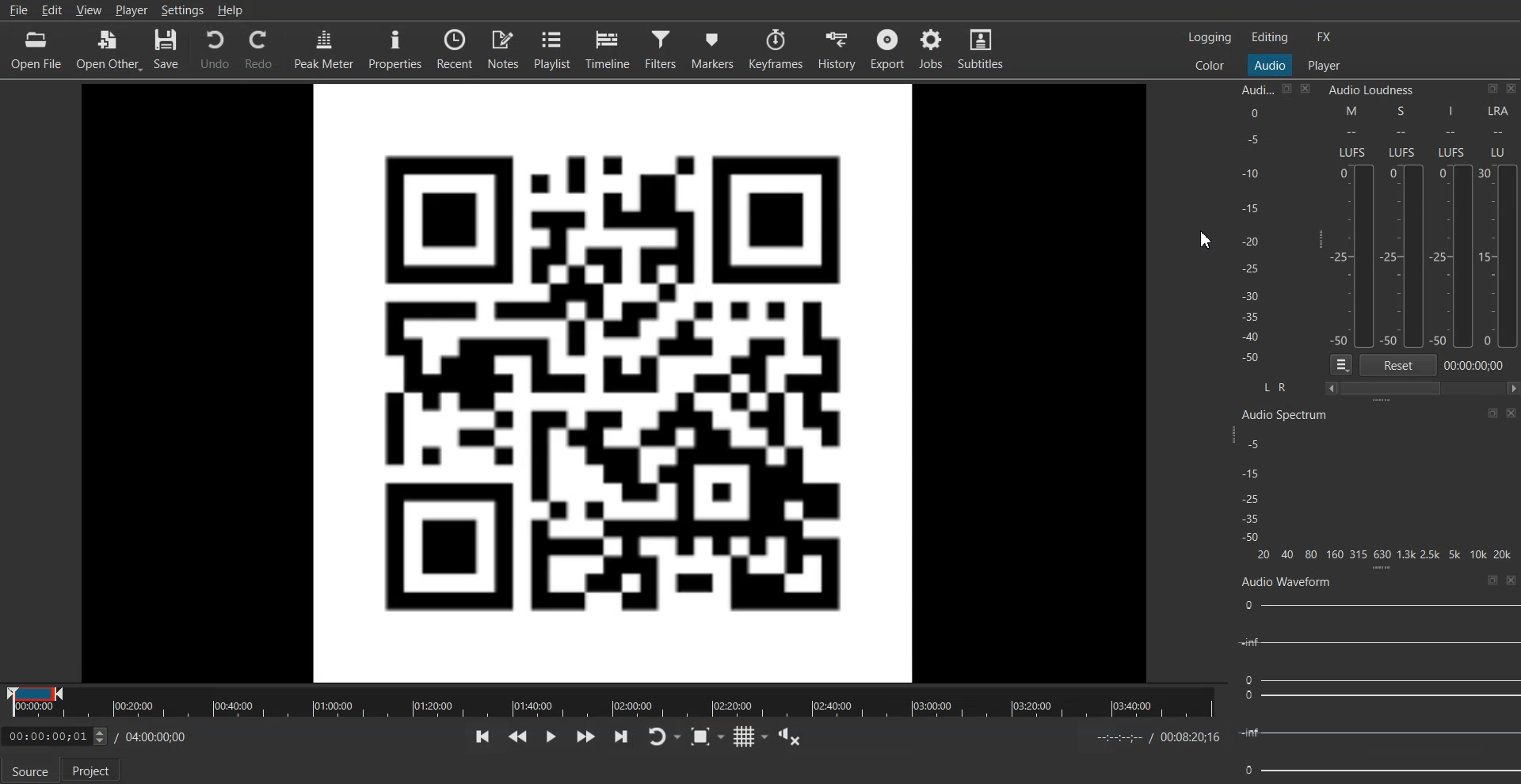 The image size is (1521, 784). Describe the element at coordinates (1511, 580) in the screenshot. I see `Close` at that location.